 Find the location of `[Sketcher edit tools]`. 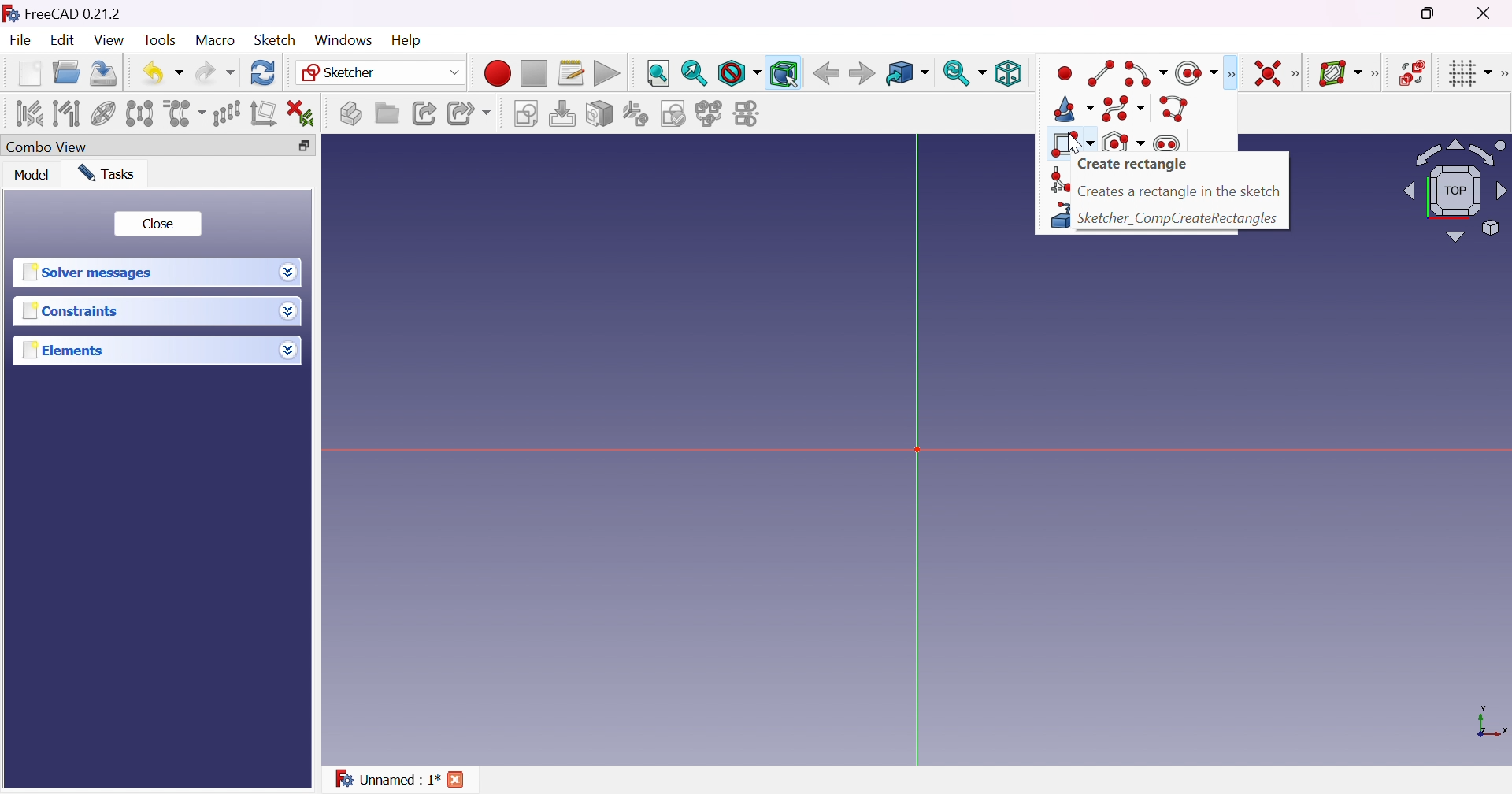

[Sketcher edit tools] is located at coordinates (1503, 74).